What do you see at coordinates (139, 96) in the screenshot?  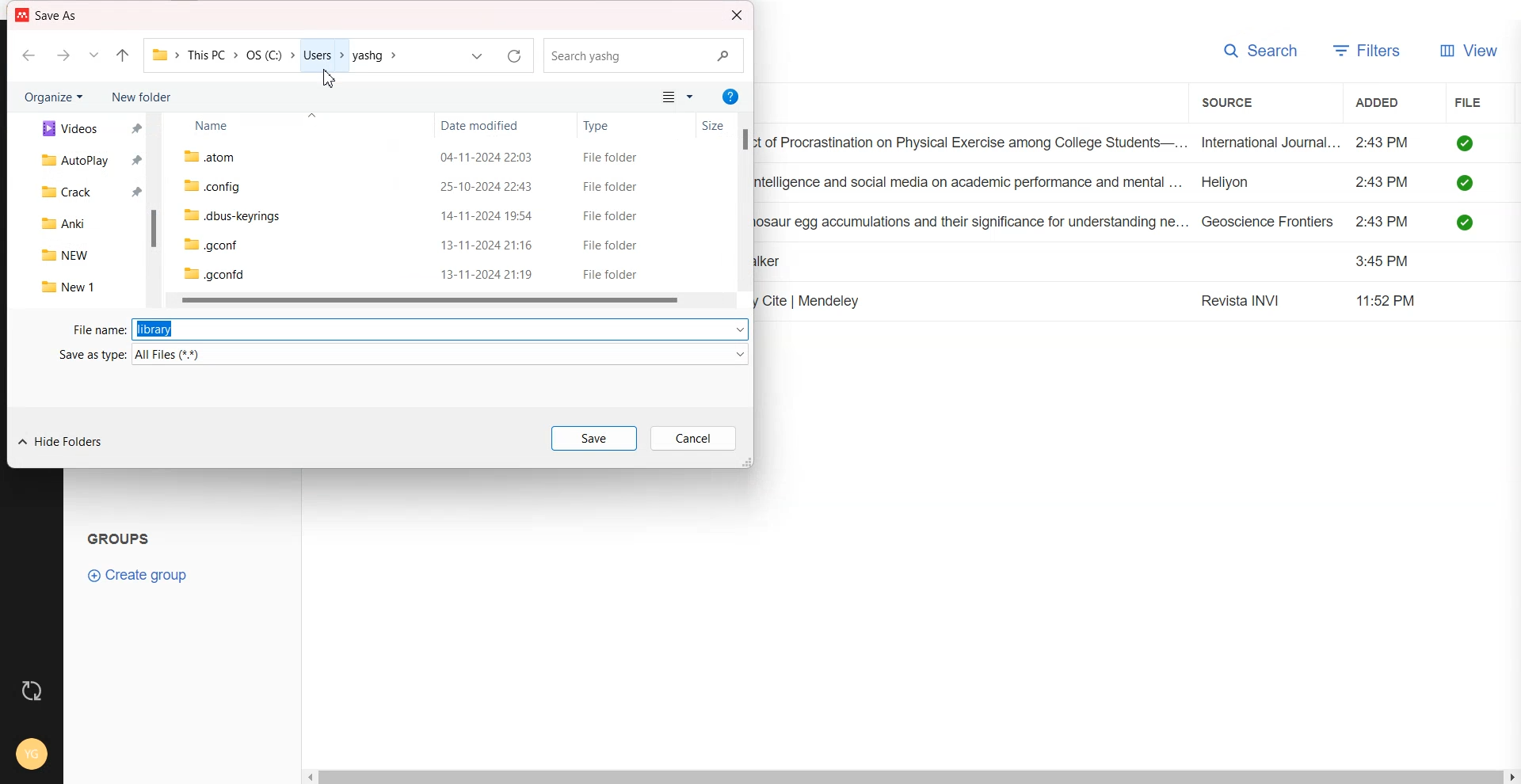 I see `New folder` at bounding box center [139, 96].